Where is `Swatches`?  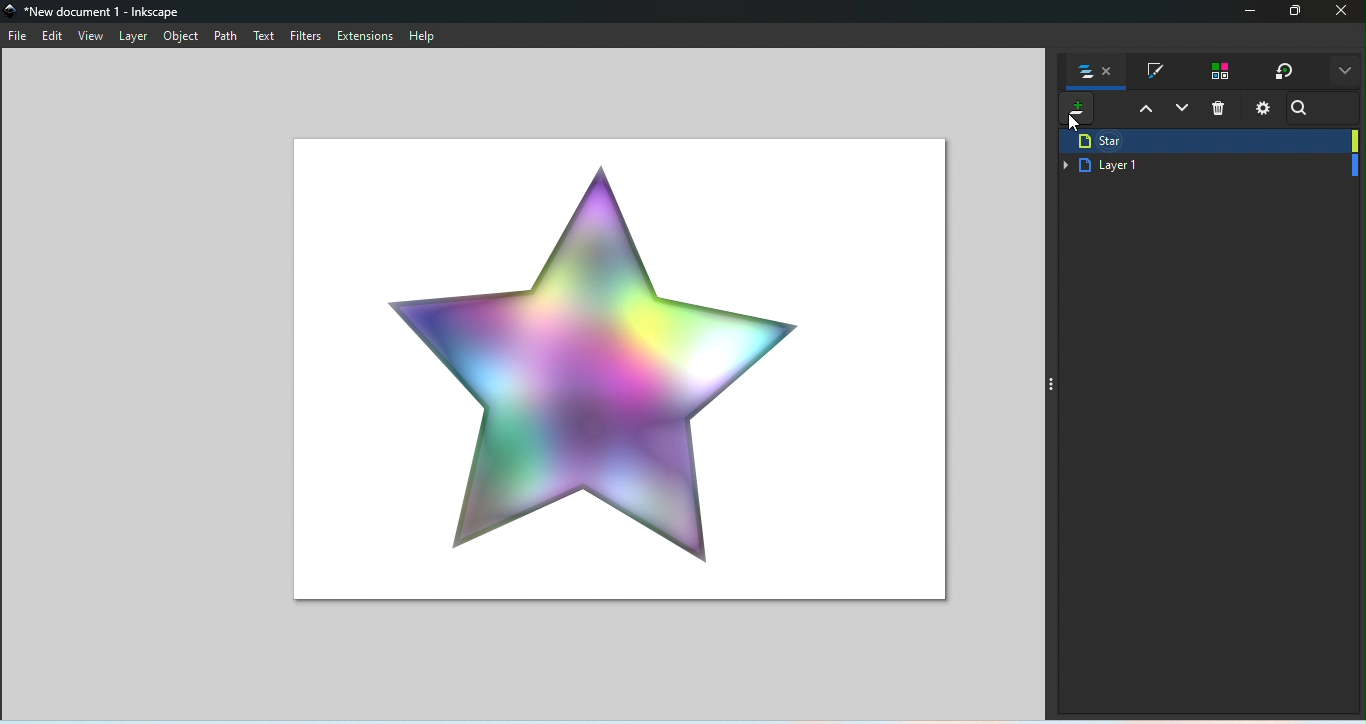
Swatches is located at coordinates (1217, 72).